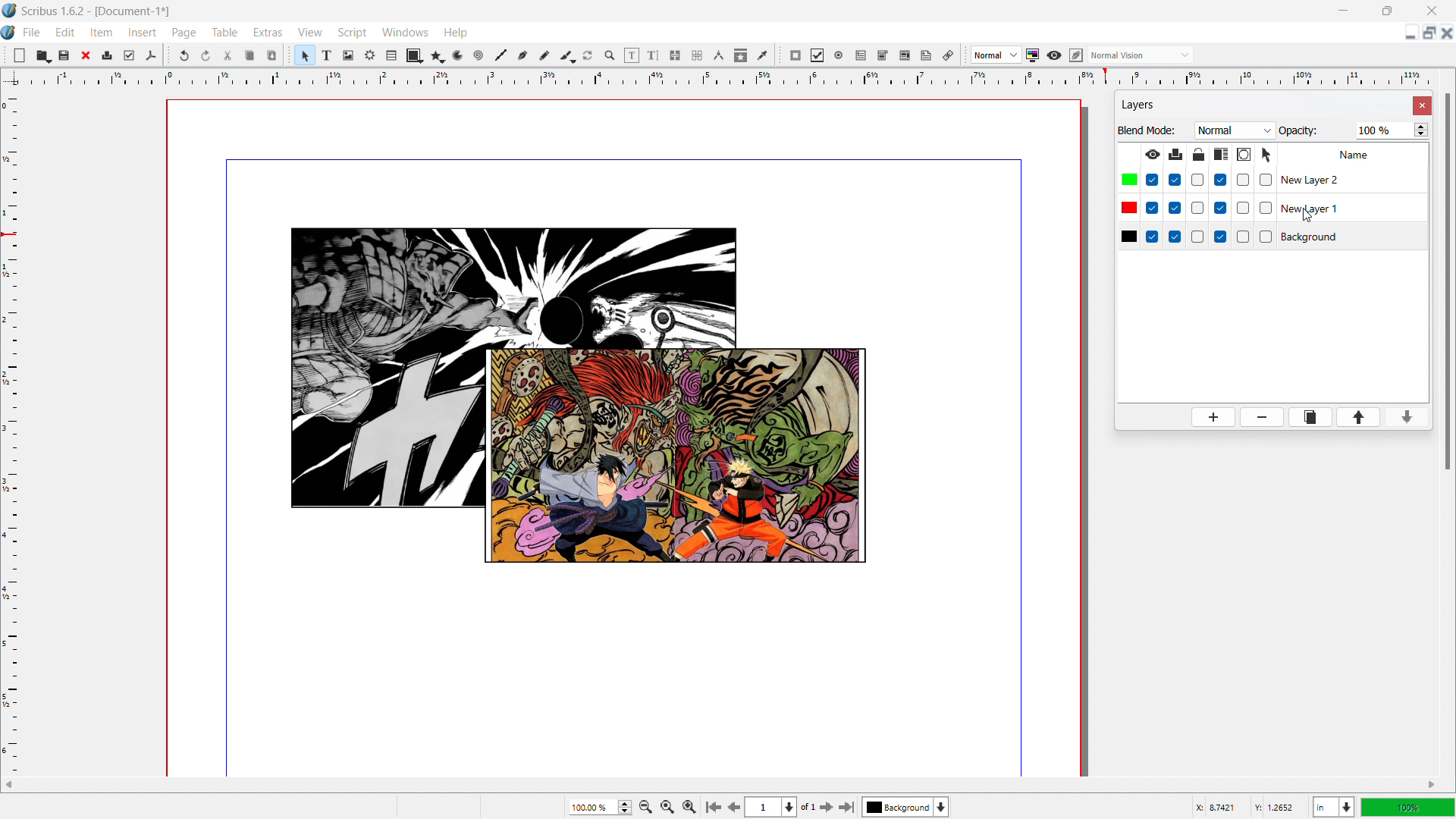 The image size is (1456, 819). What do you see at coordinates (689, 805) in the screenshot?
I see `Zoom out by the stepping value selected in settings` at bounding box center [689, 805].